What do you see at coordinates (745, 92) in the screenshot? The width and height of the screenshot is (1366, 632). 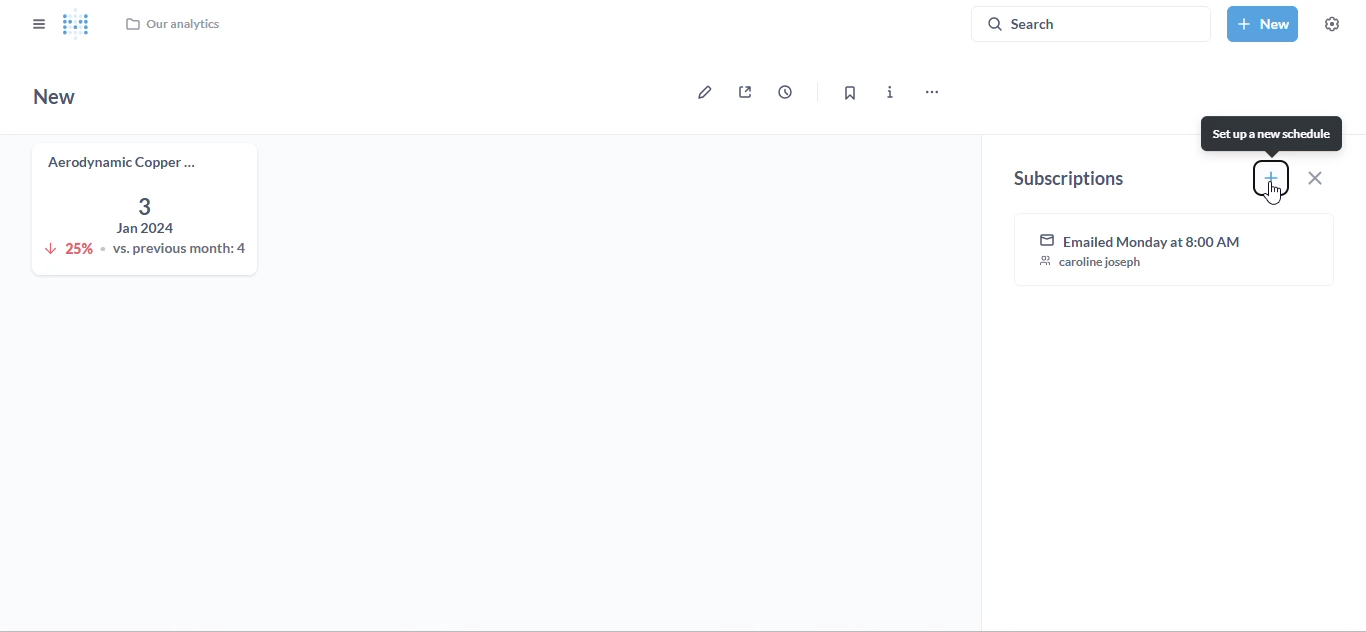 I see `sharing` at bounding box center [745, 92].